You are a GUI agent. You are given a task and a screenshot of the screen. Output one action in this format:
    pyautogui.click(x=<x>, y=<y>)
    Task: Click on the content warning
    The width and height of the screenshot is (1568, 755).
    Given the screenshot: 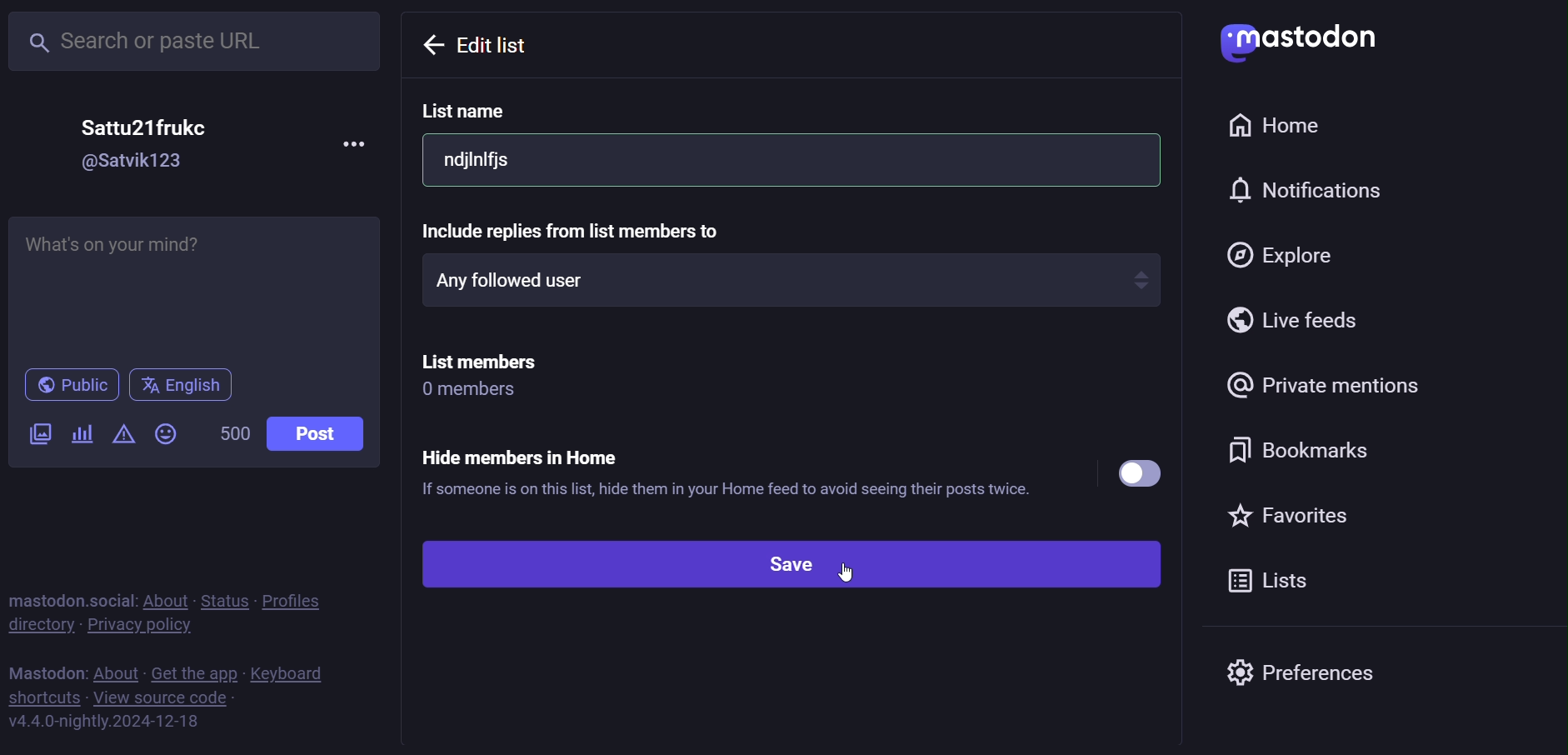 What is the action you would take?
    pyautogui.click(x=124, y=437)
    